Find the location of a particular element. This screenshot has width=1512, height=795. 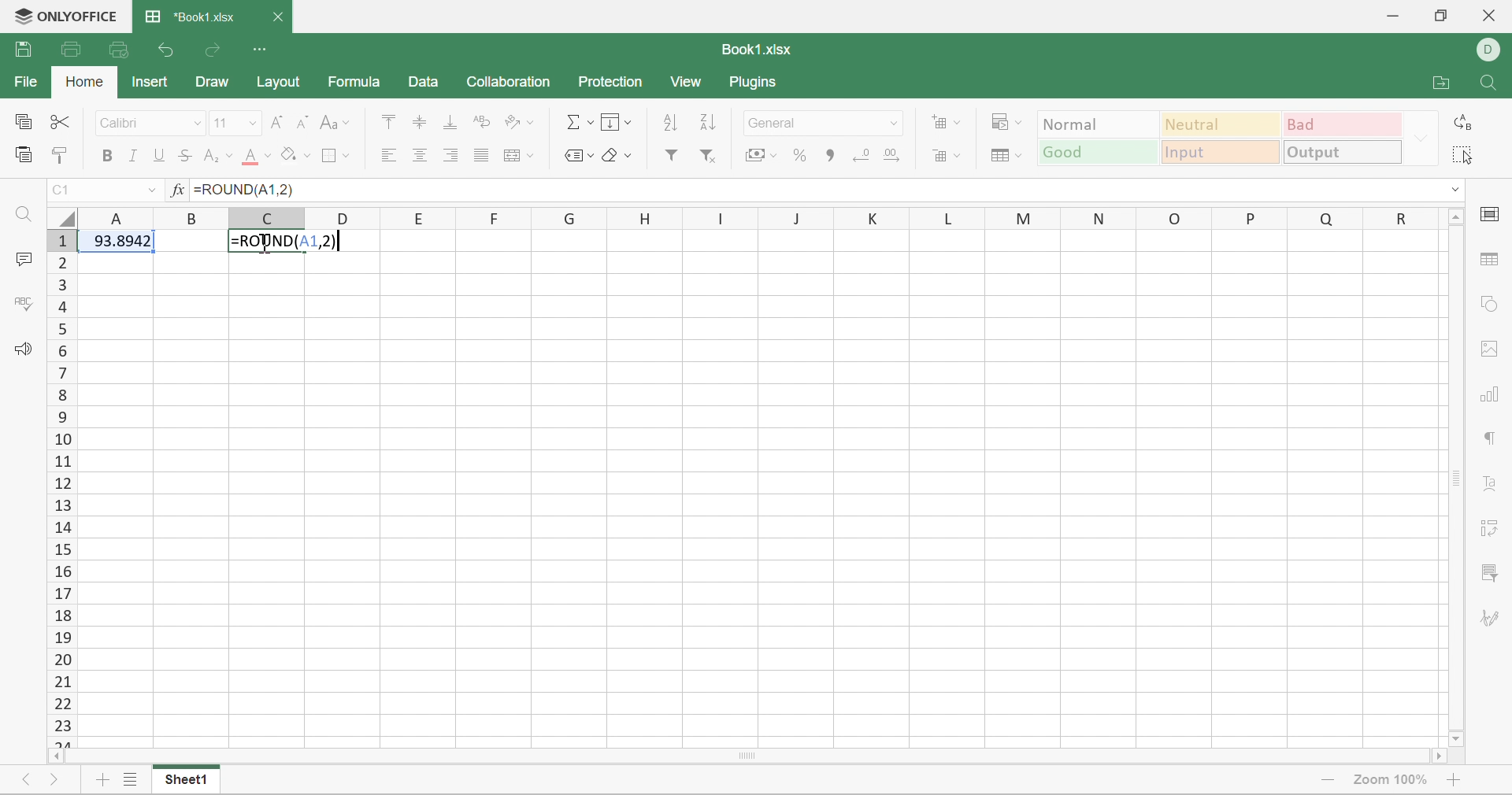

Scroll Left is located at coordinates (57, 758).